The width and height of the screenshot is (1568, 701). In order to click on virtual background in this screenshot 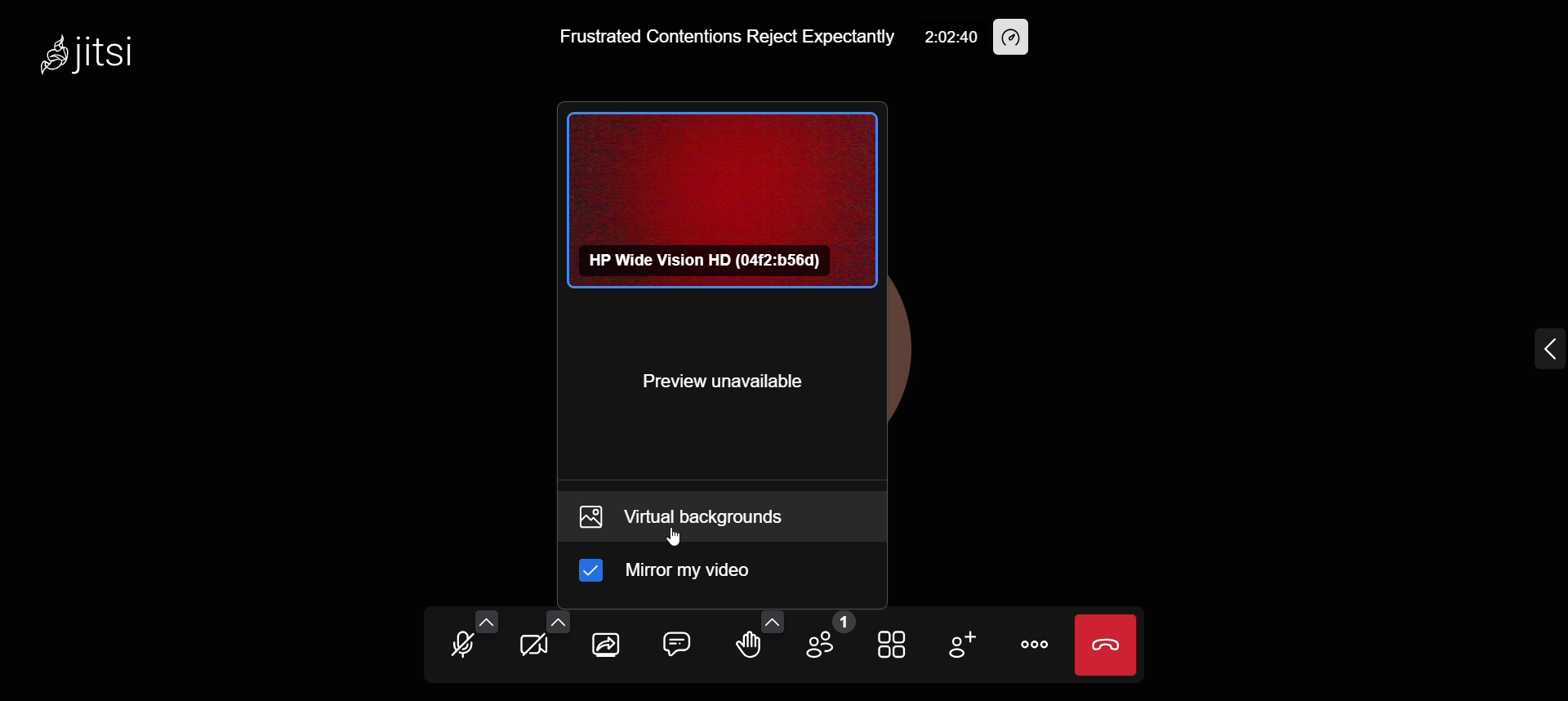, I will do `click(720, 518)`.